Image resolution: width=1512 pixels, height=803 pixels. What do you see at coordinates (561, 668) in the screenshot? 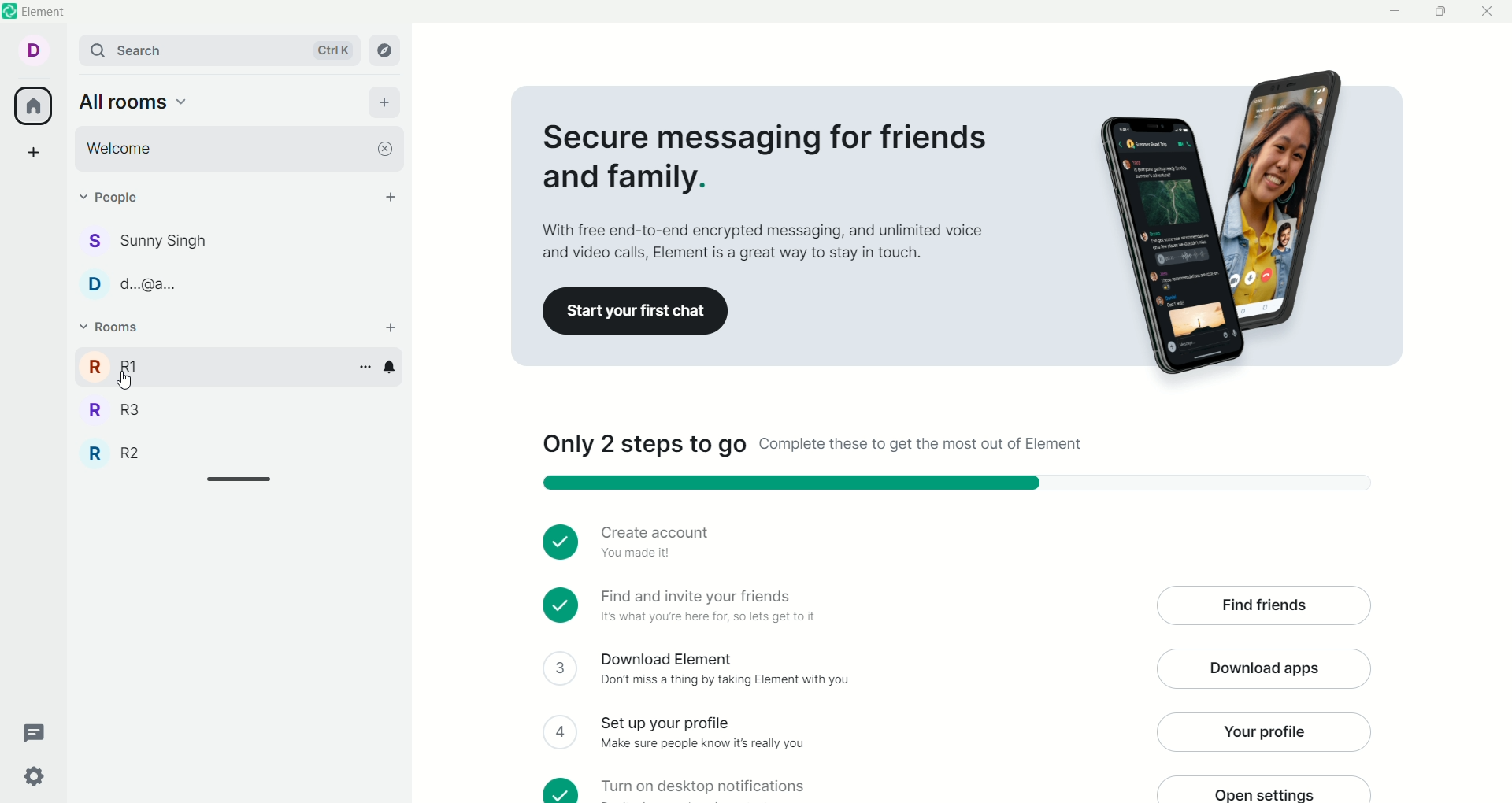
I see `Indicates step is yet to be done` at bounding box center [561, 668].